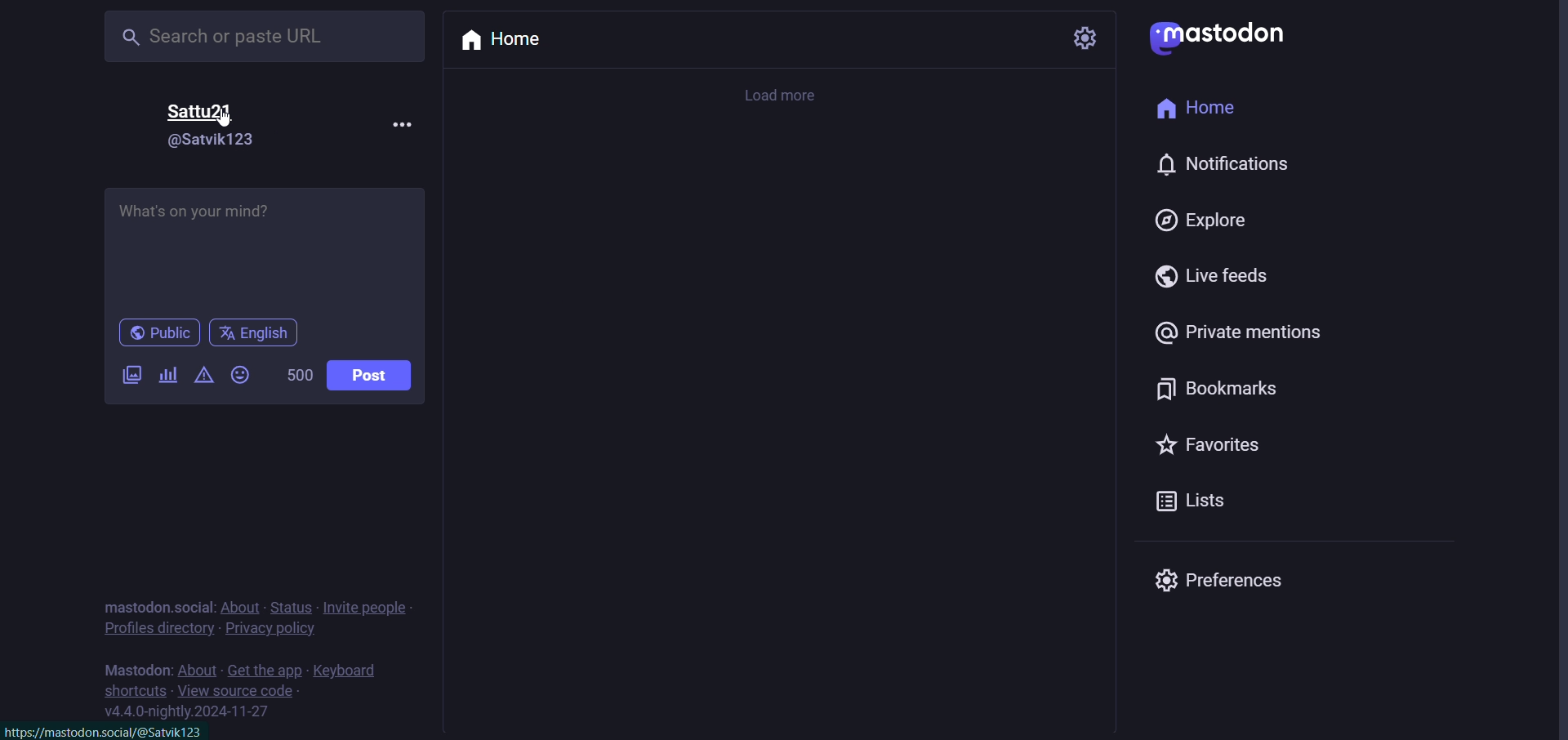 The image size is (1568, 740). I want to click on status, so click(290, 607).